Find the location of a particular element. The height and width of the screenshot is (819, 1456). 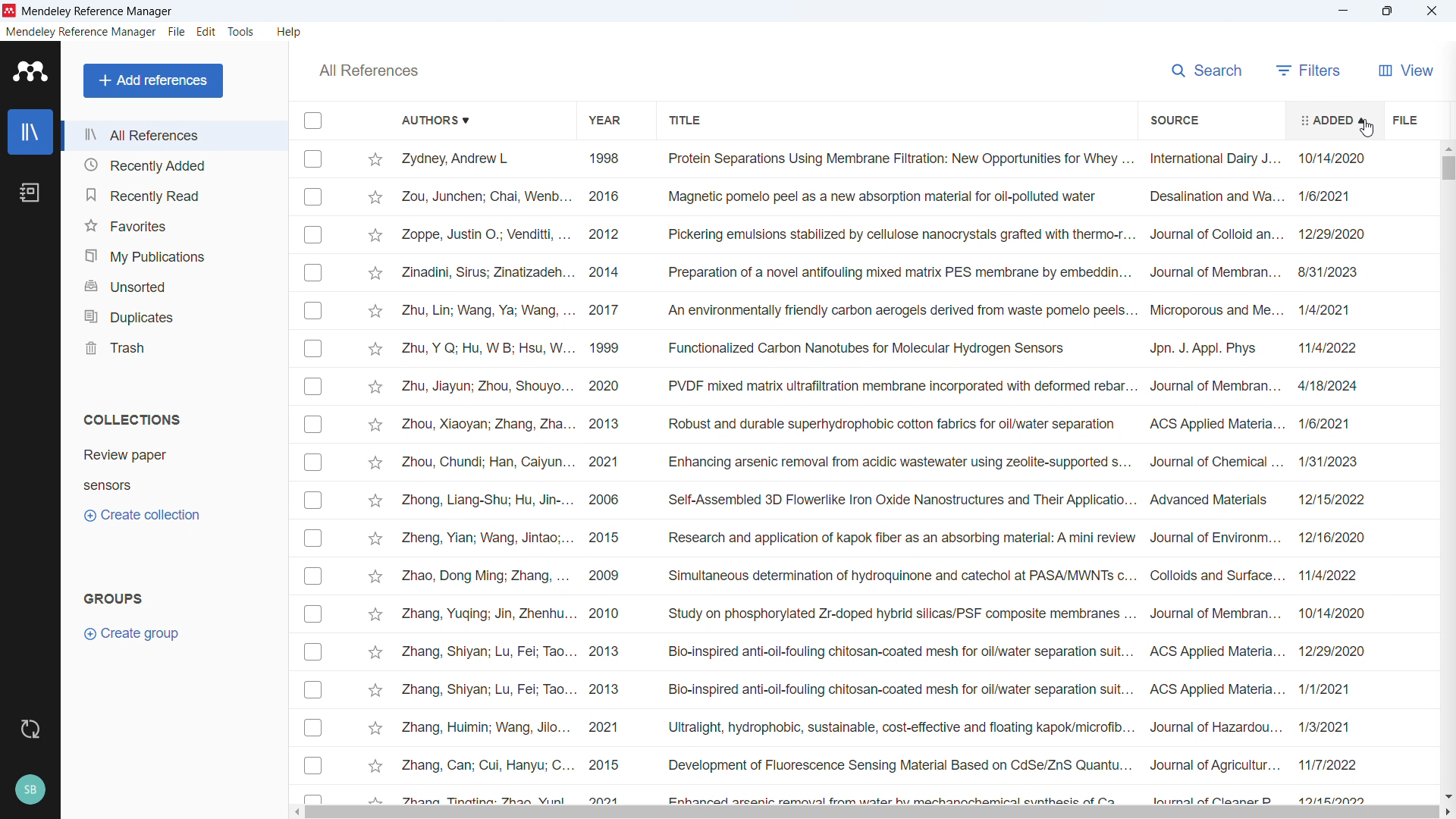

Date of addition of individual entries  is located at coordinates (1335, 476).